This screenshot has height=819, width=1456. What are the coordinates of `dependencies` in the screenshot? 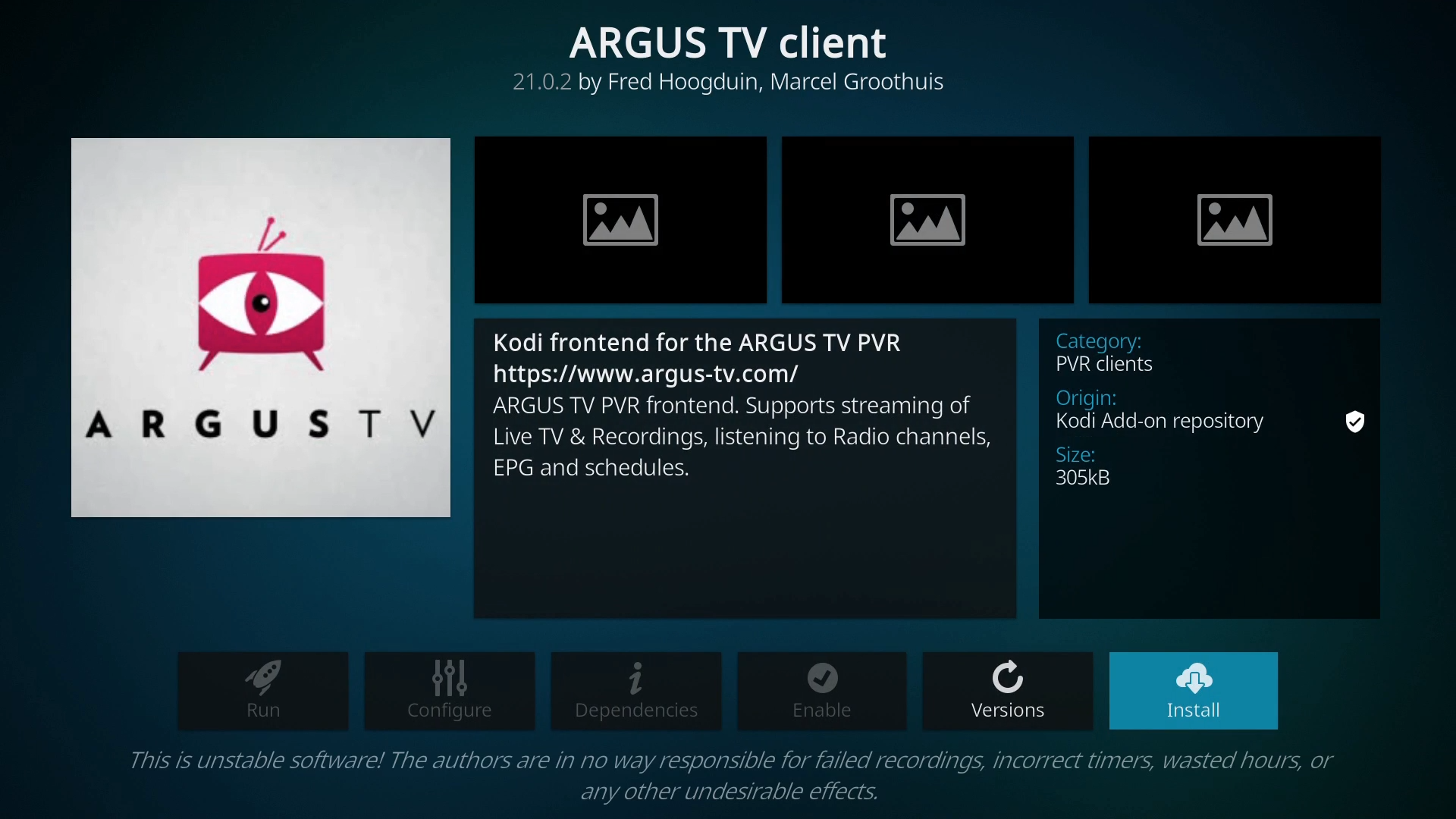 It's located at (633, 692).